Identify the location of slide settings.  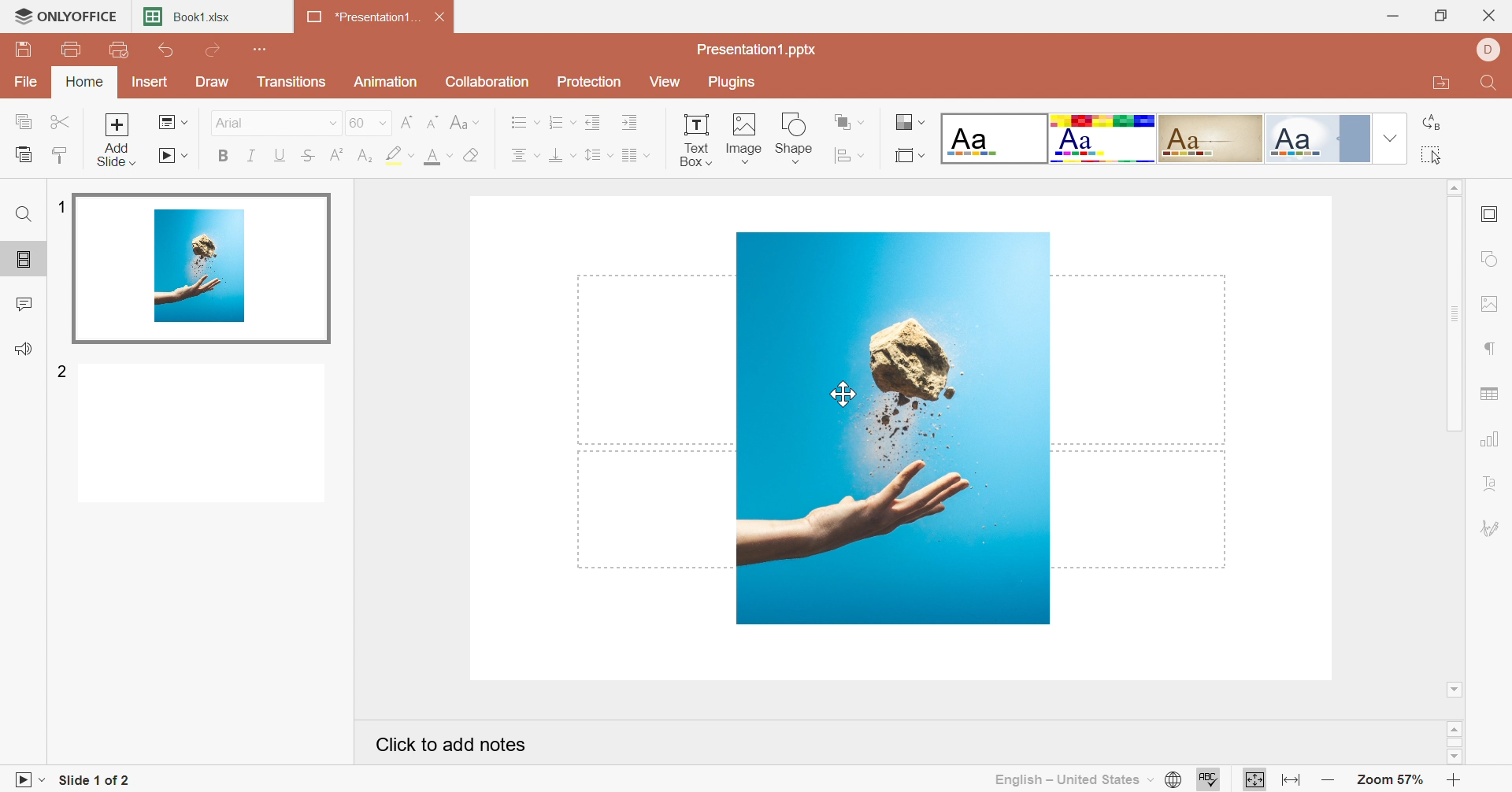
(1494, 214).